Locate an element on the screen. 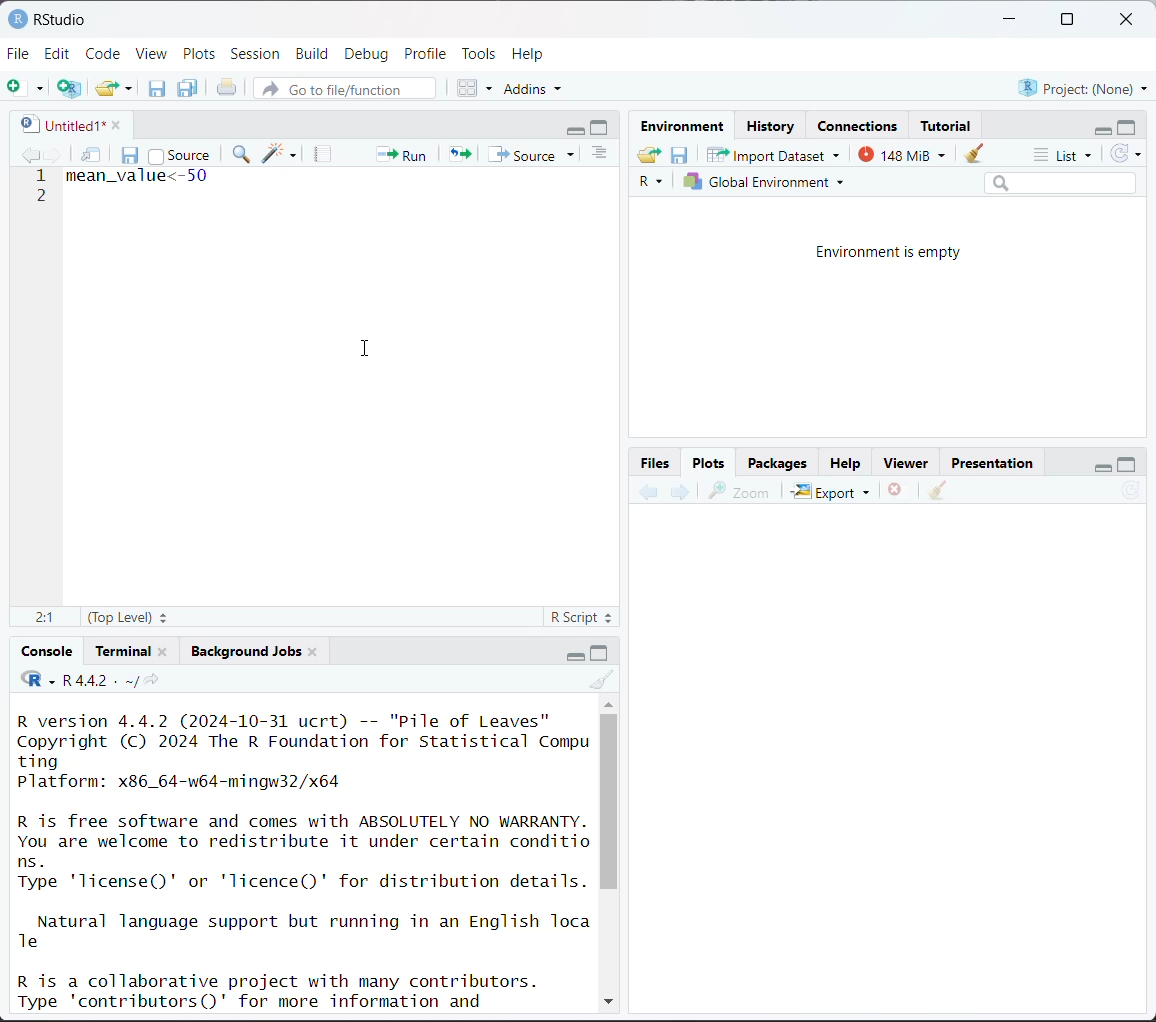  next plot is located at coordinates (678, 492).